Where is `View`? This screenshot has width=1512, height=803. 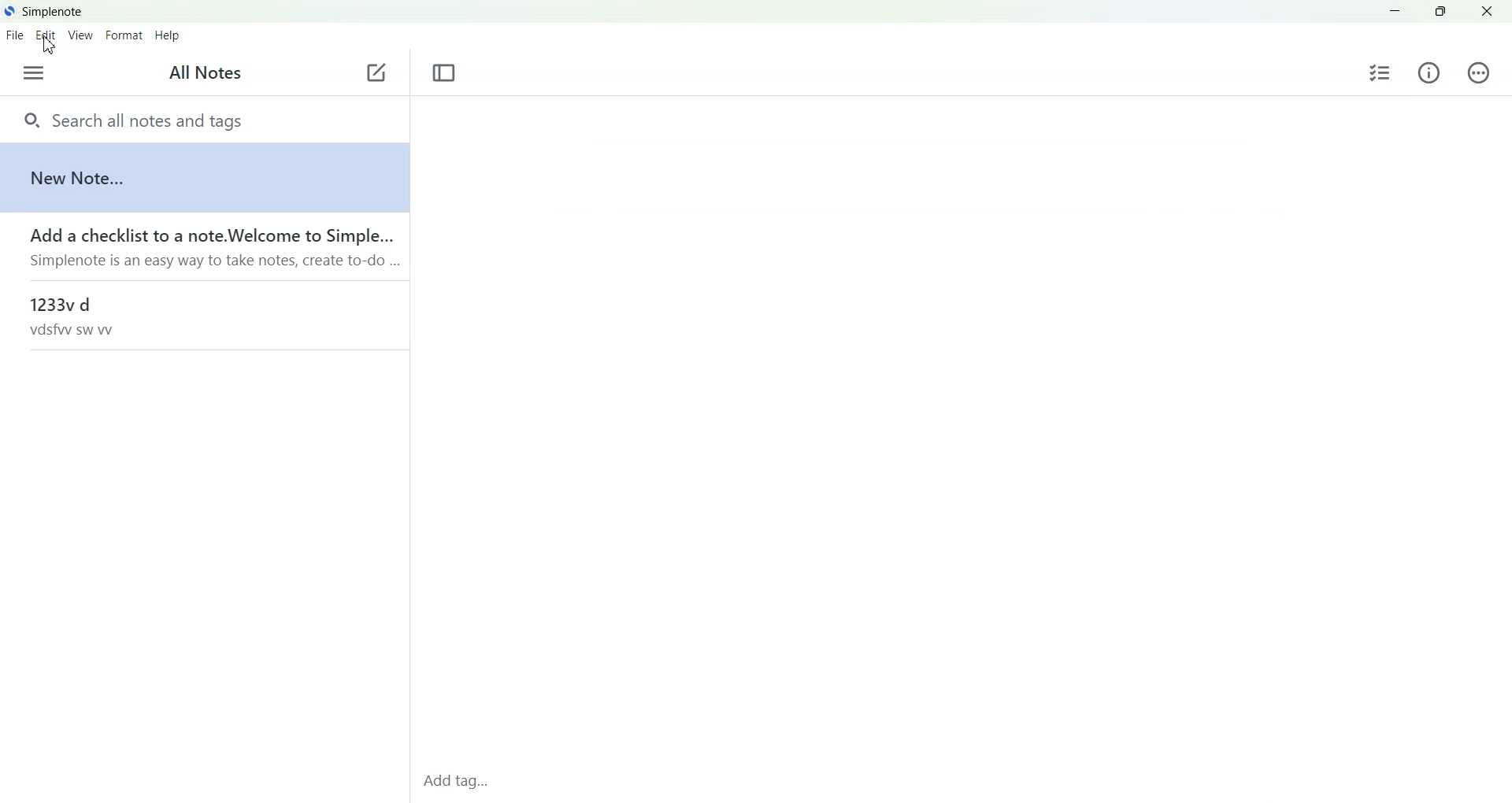
View is located at coordinates (79, 36).